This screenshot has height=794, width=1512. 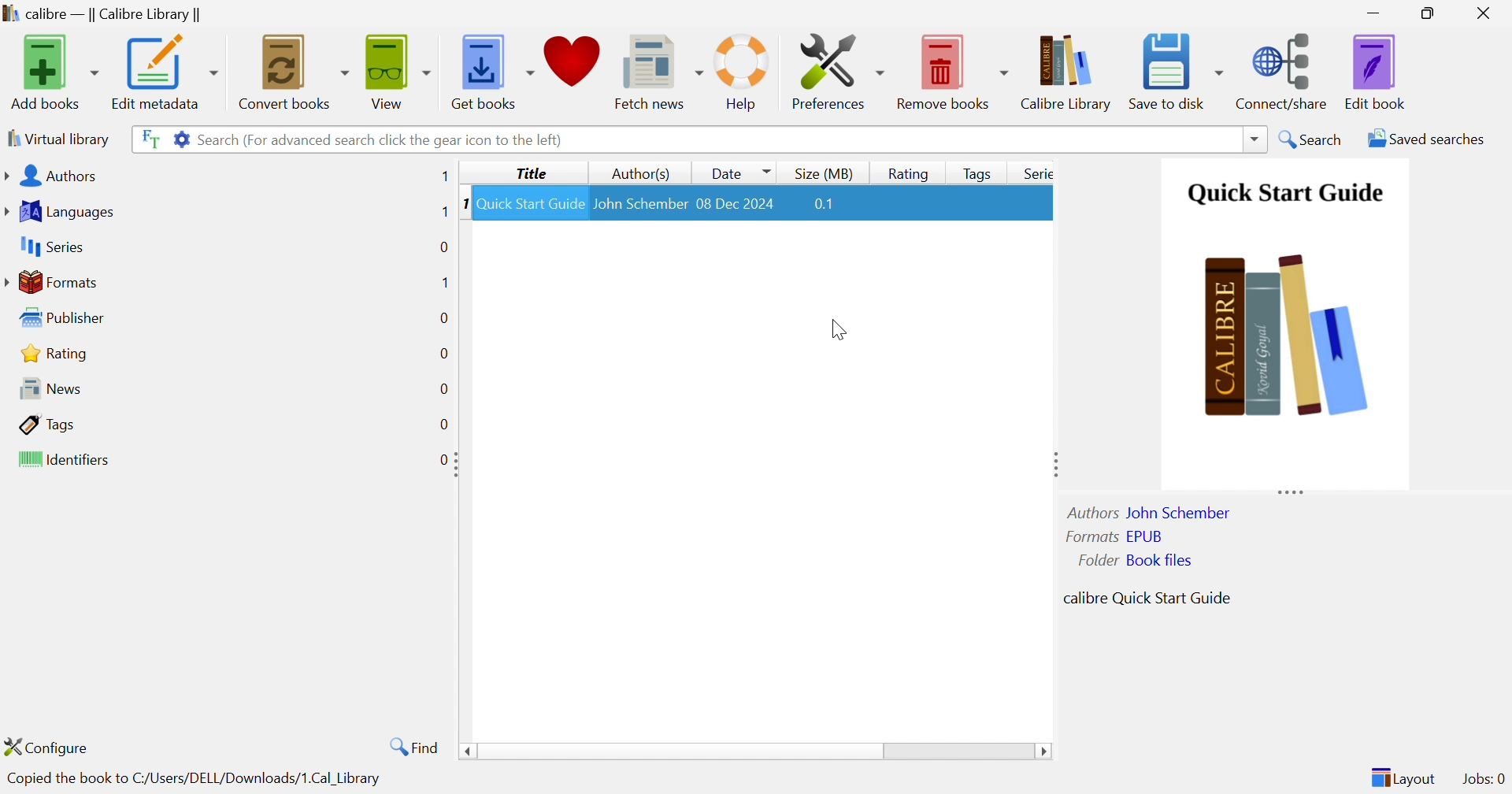 I want to click on Convert books, so click(x=293, y=70).